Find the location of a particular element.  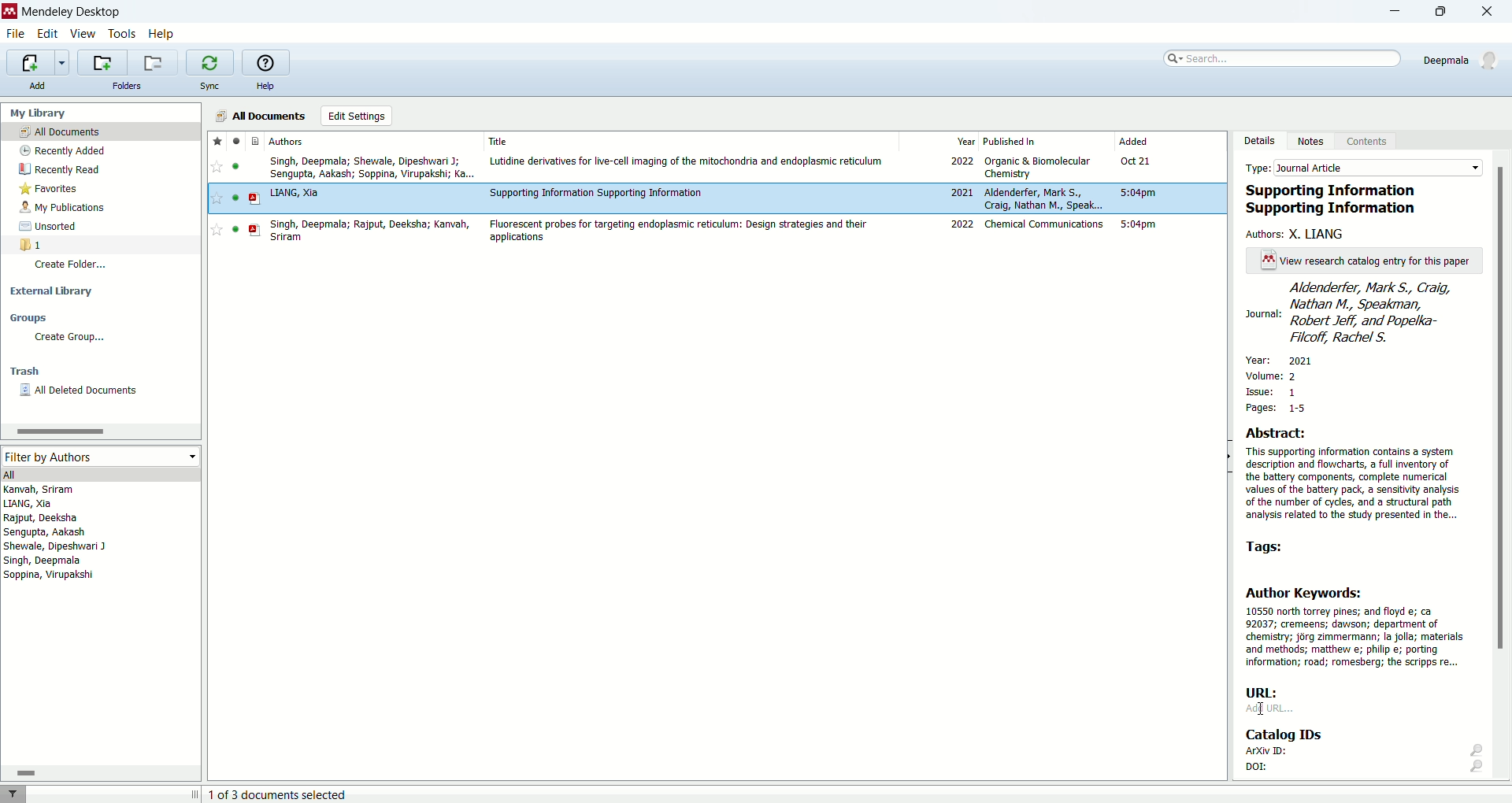

remove current folder is located at coordinates (154, 62).